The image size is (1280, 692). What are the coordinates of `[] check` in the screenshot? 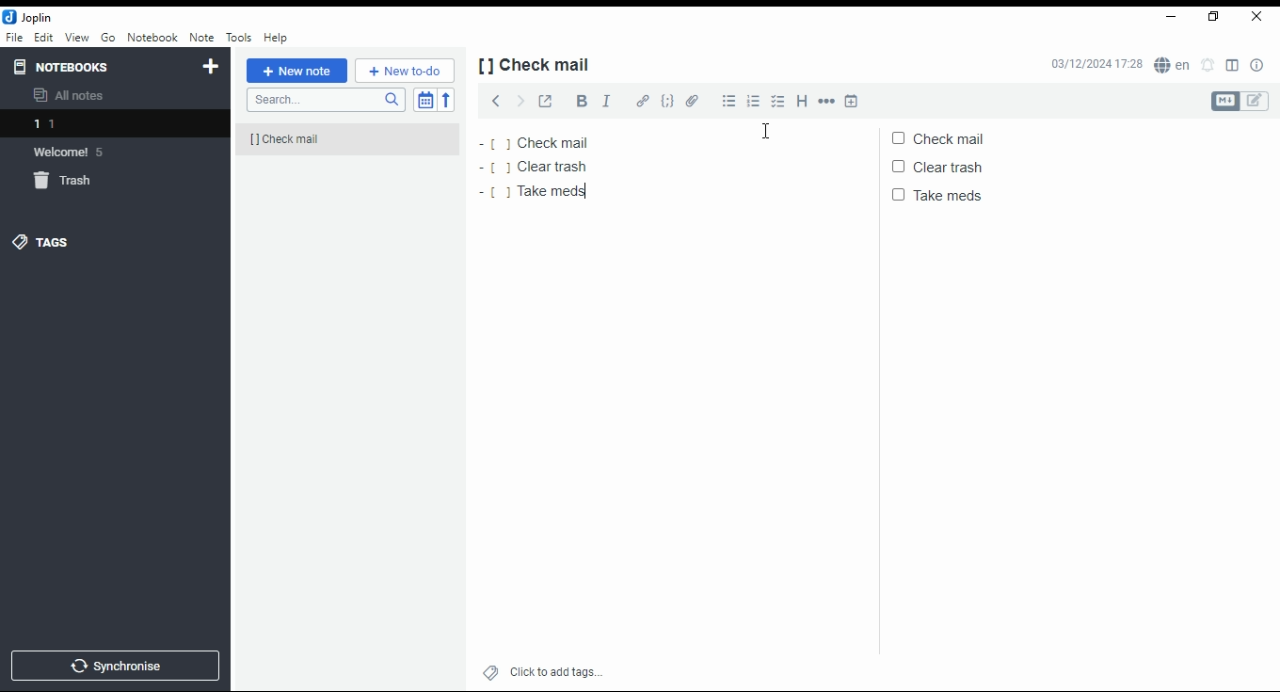 It's located at (332, 139).